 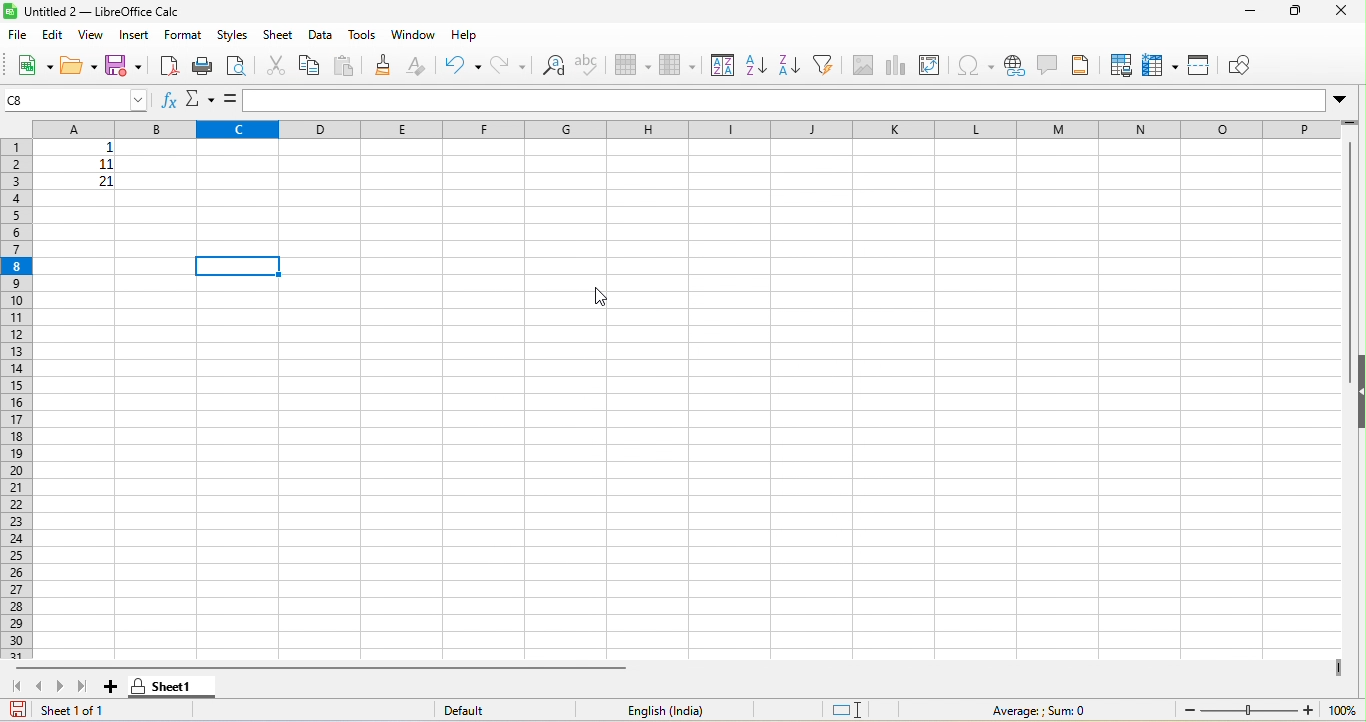 I want to click on function wizard, so click(x=169, y=102).